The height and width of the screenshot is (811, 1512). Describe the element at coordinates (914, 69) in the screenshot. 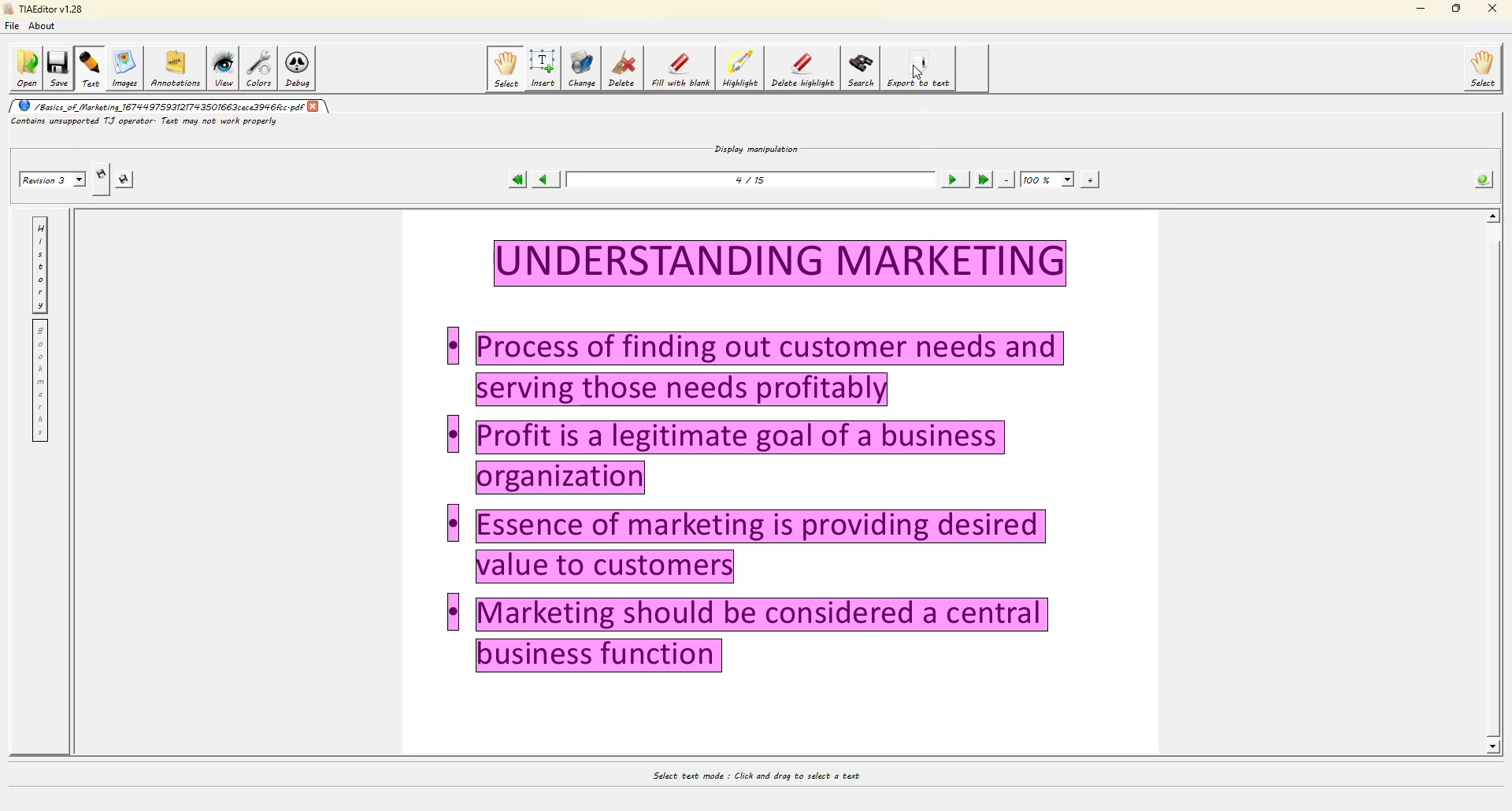

I see `export to text` at that location.